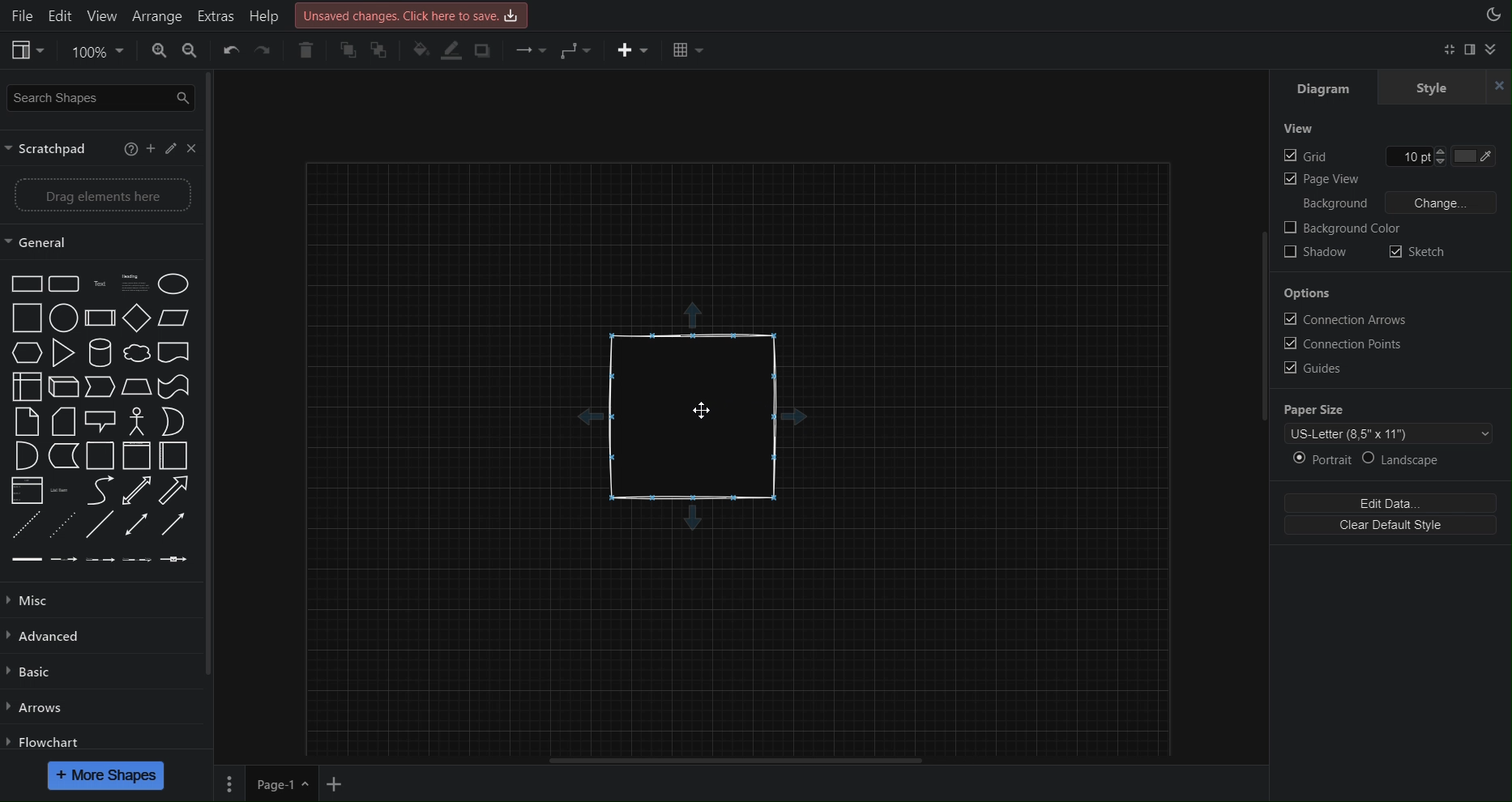  I want to click on General, so click(53, 241).